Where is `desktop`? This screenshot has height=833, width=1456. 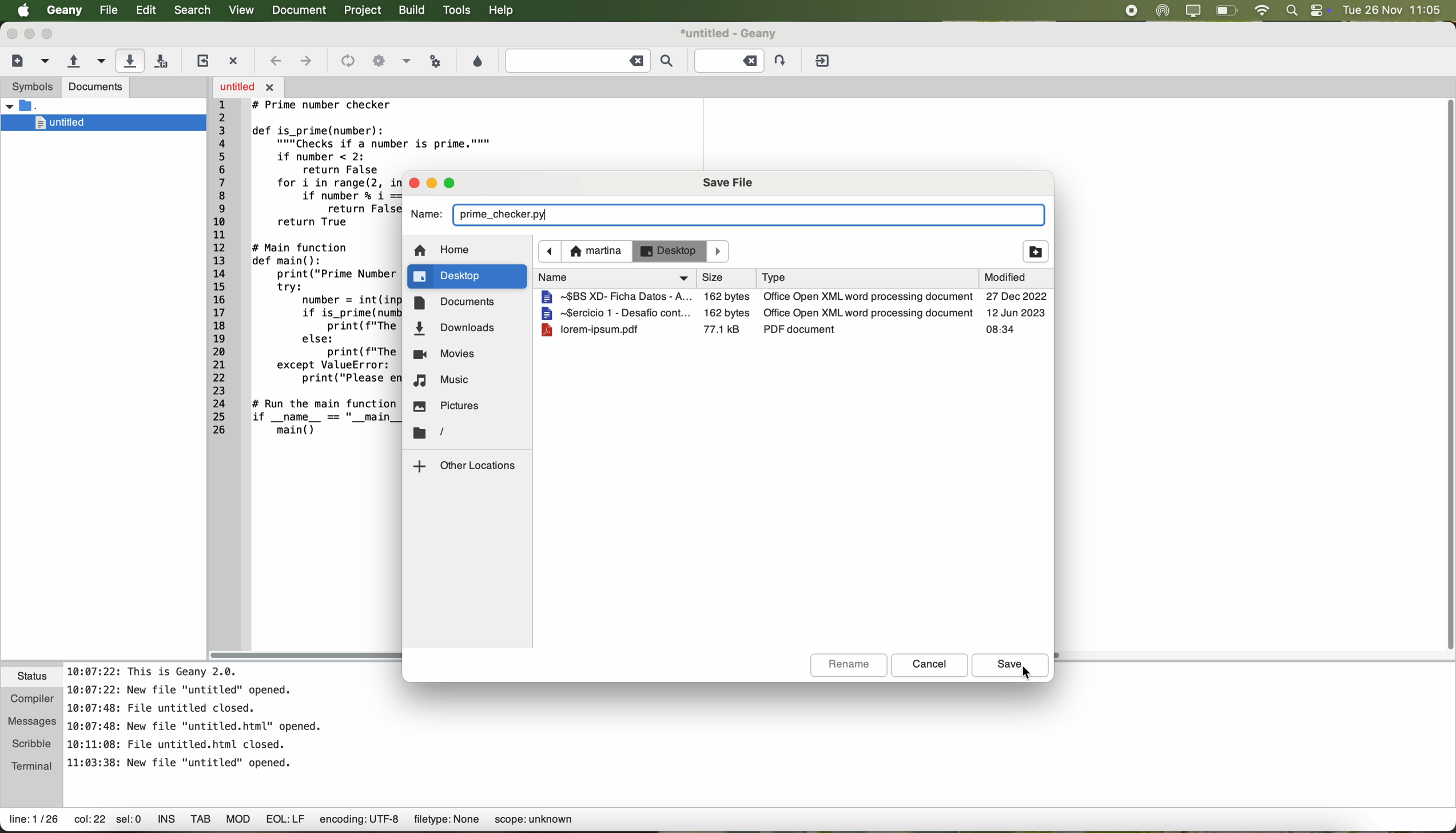
desktop is located at coordinates (671, 252).